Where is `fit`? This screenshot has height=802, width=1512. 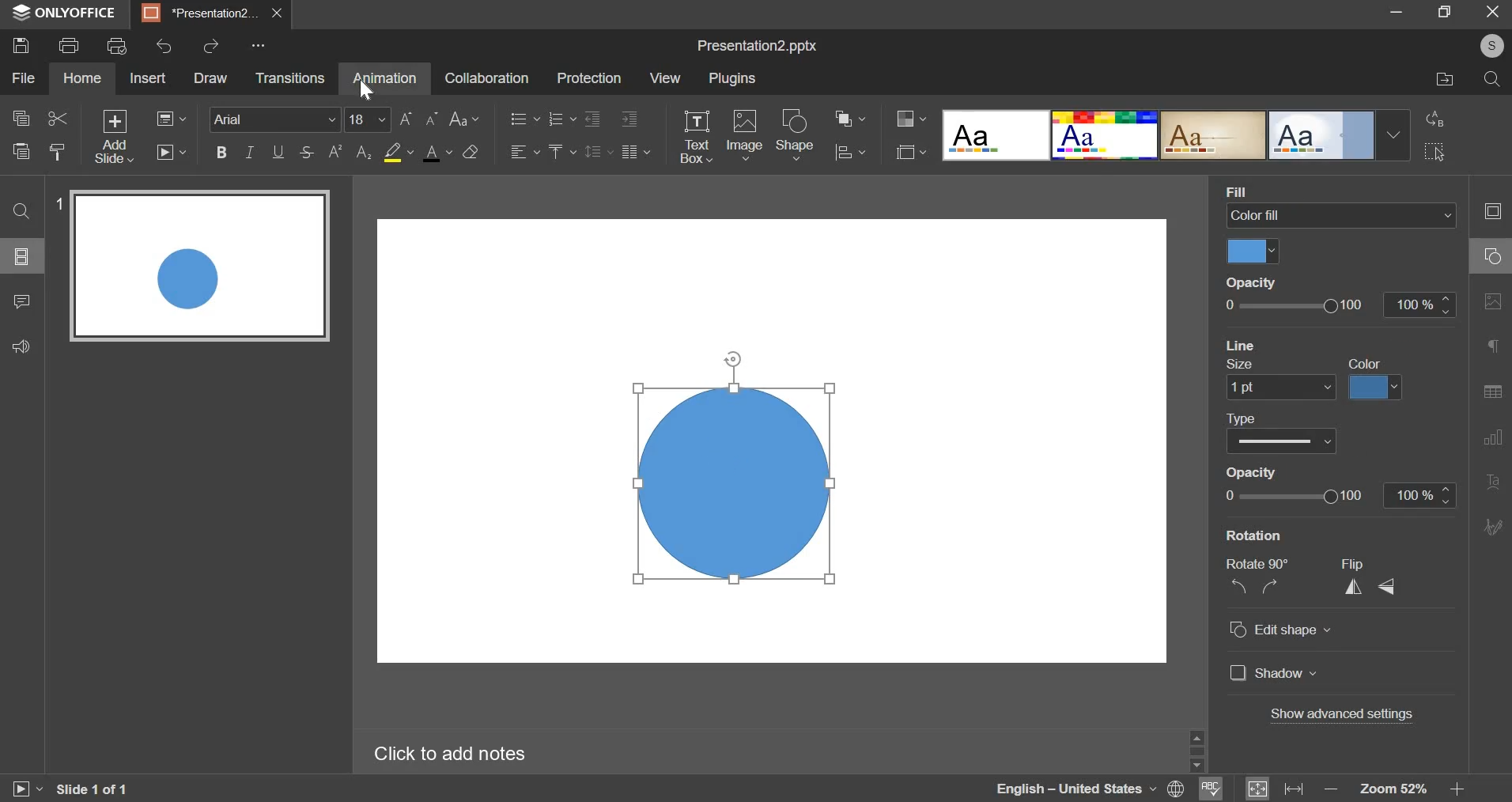 fit is located at coordinates (1275, 788).